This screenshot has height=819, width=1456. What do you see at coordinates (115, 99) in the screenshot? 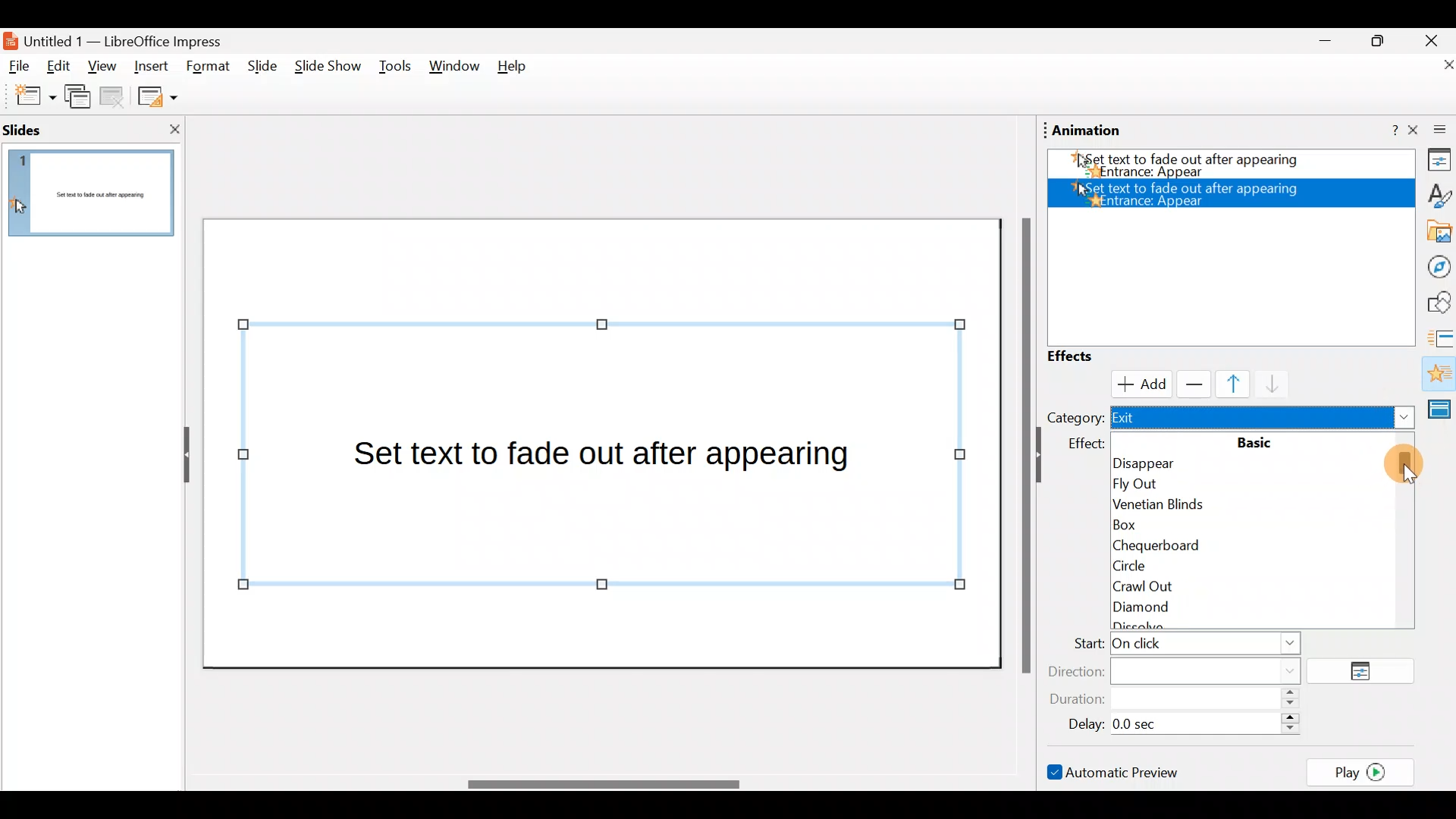
I see `Delete slide` at bounding box center [115, 99].